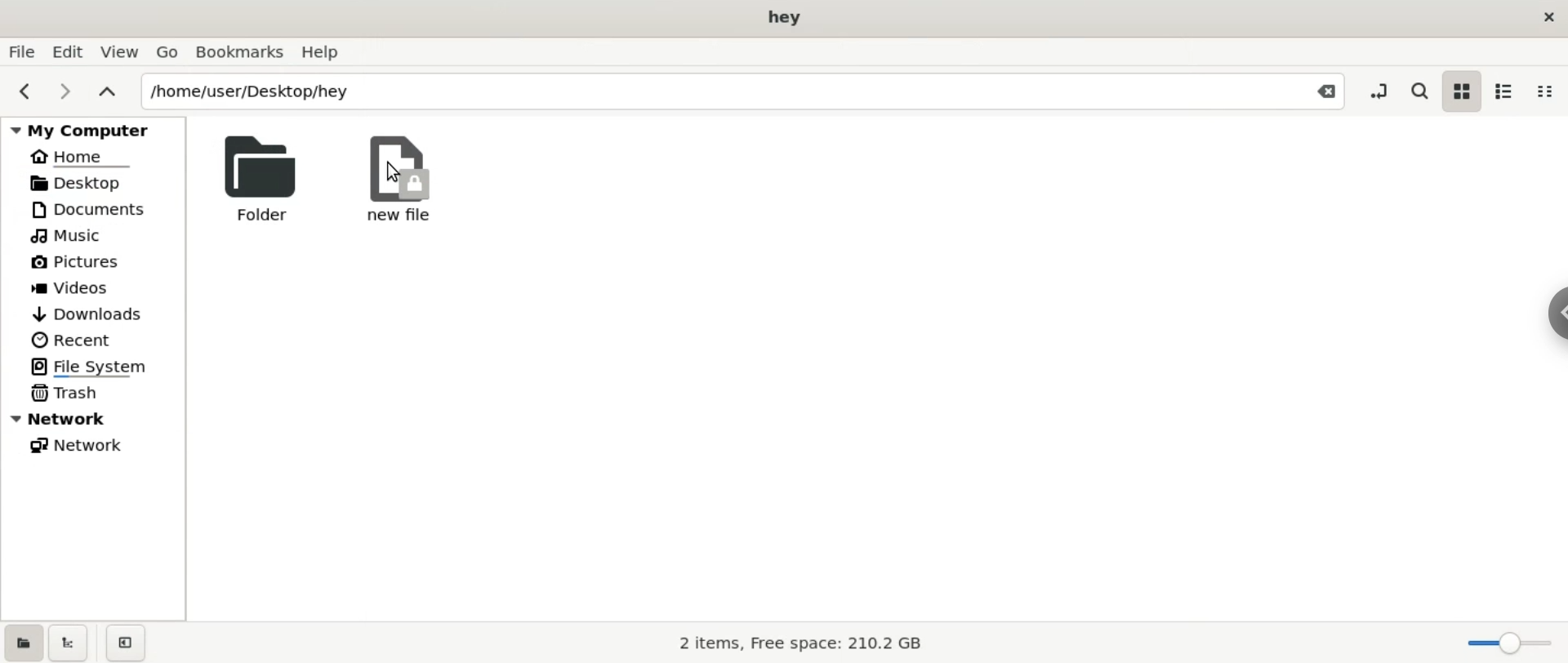  I want to click on Pictures, so click(77, 263).